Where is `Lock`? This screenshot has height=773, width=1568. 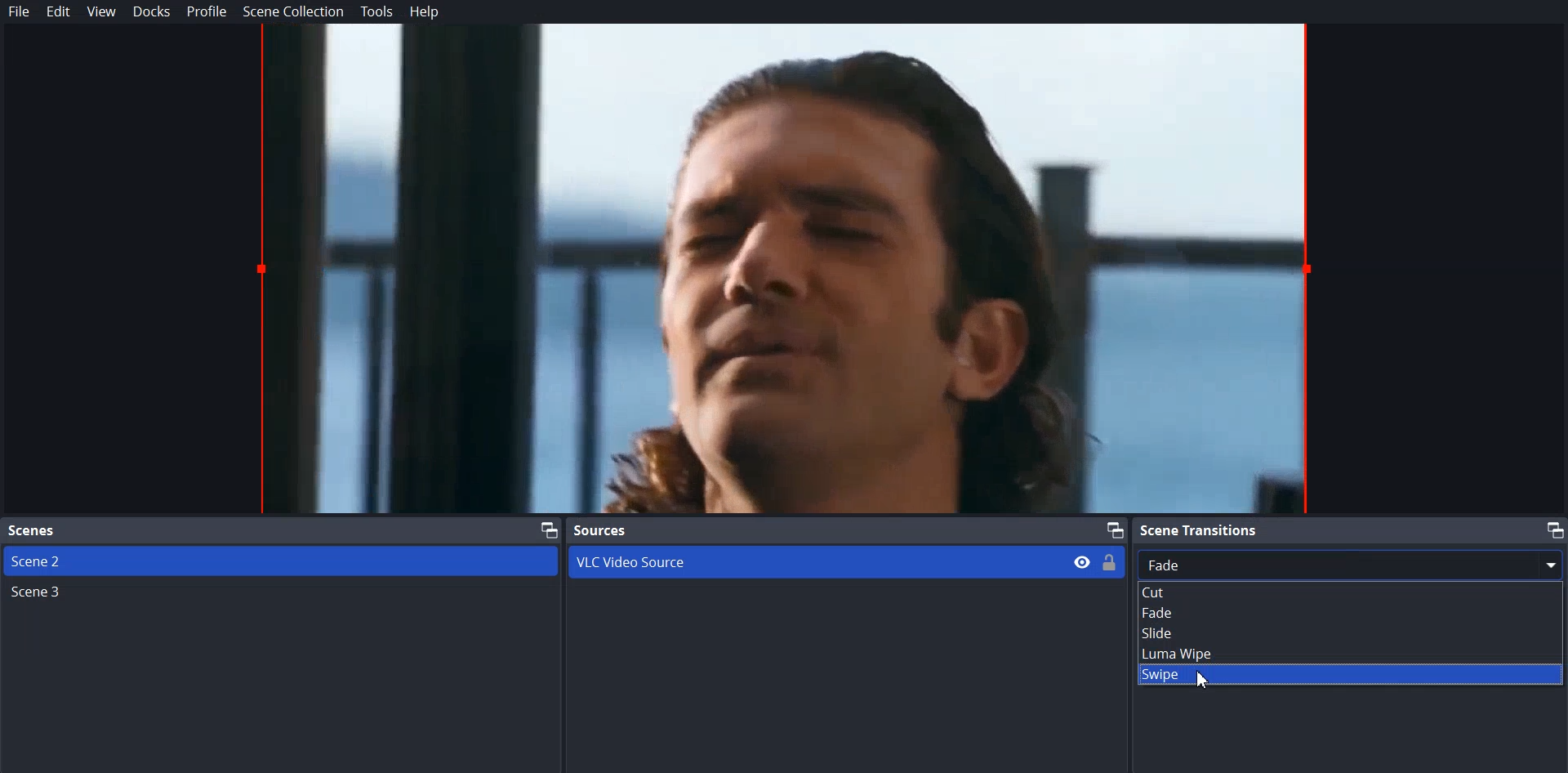 Lock is located at coordinates (1111, 563).